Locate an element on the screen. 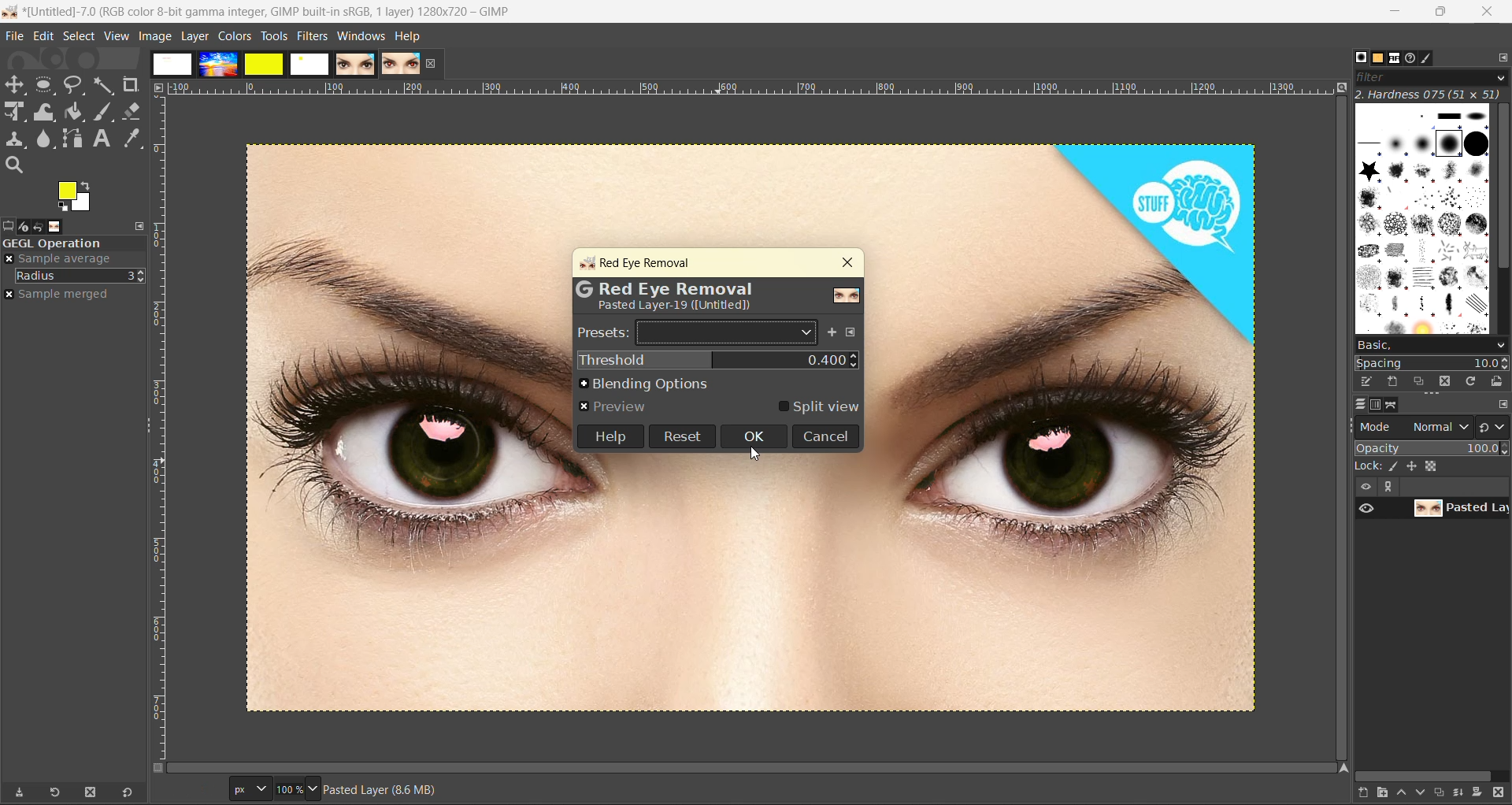  ruler is located at coordinates (744, 87).